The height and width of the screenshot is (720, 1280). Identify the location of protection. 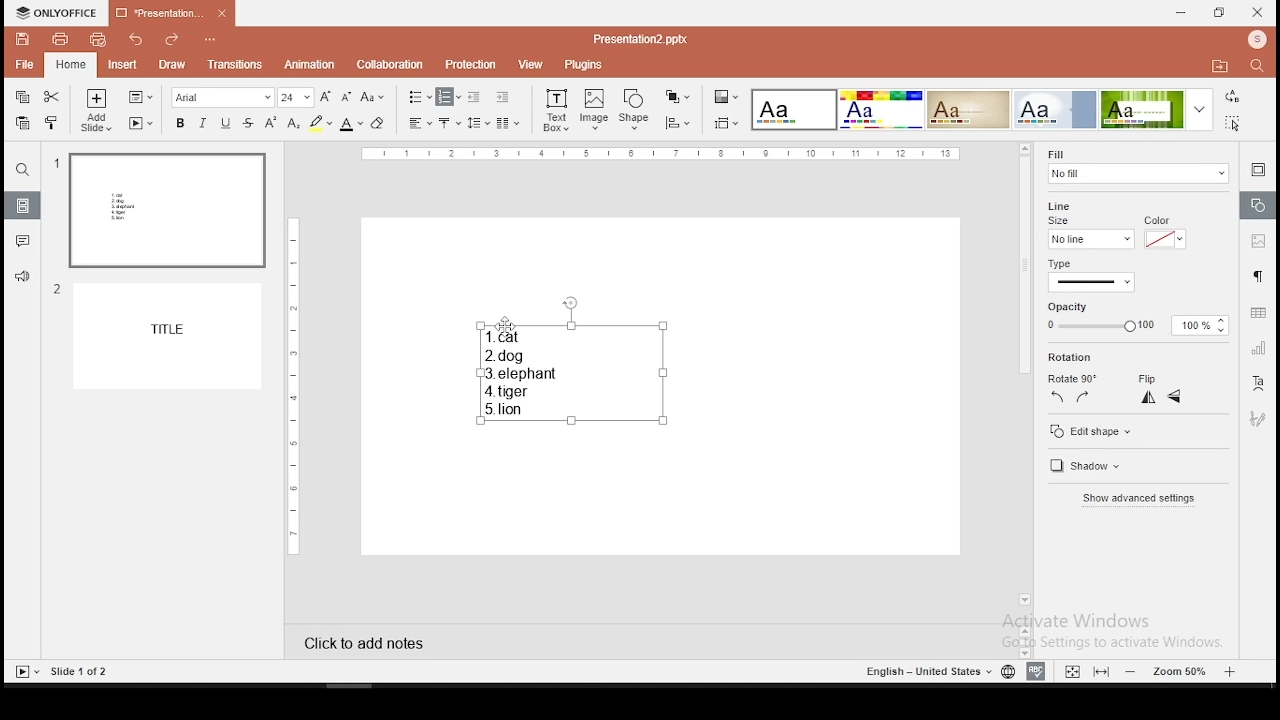
(472, 63).